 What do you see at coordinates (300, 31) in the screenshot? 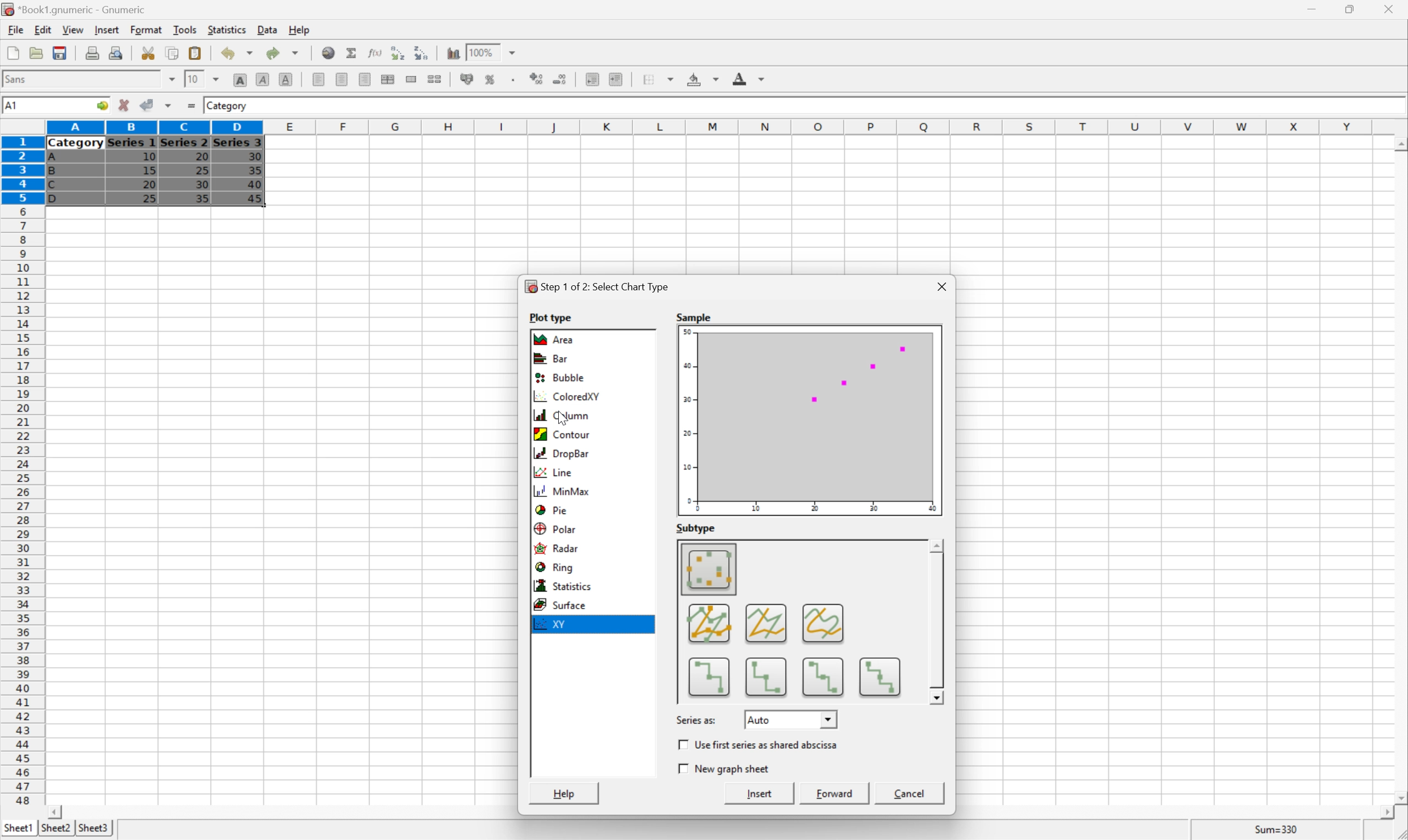
I see `Help` at bounding box center [300, 31].